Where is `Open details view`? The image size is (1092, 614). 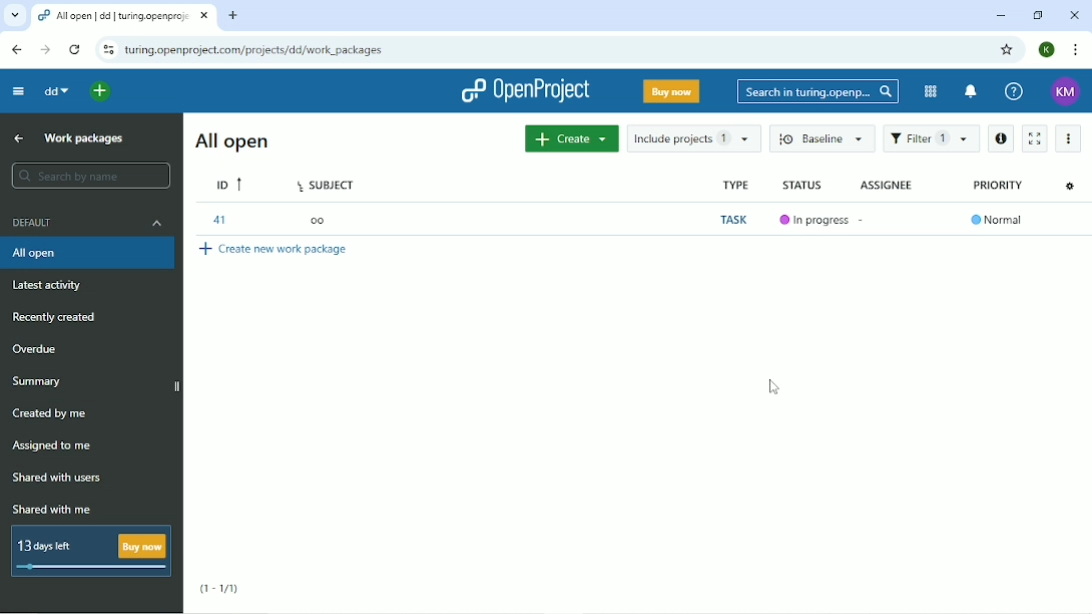
Open details view is located at coordinates (1002, 138).